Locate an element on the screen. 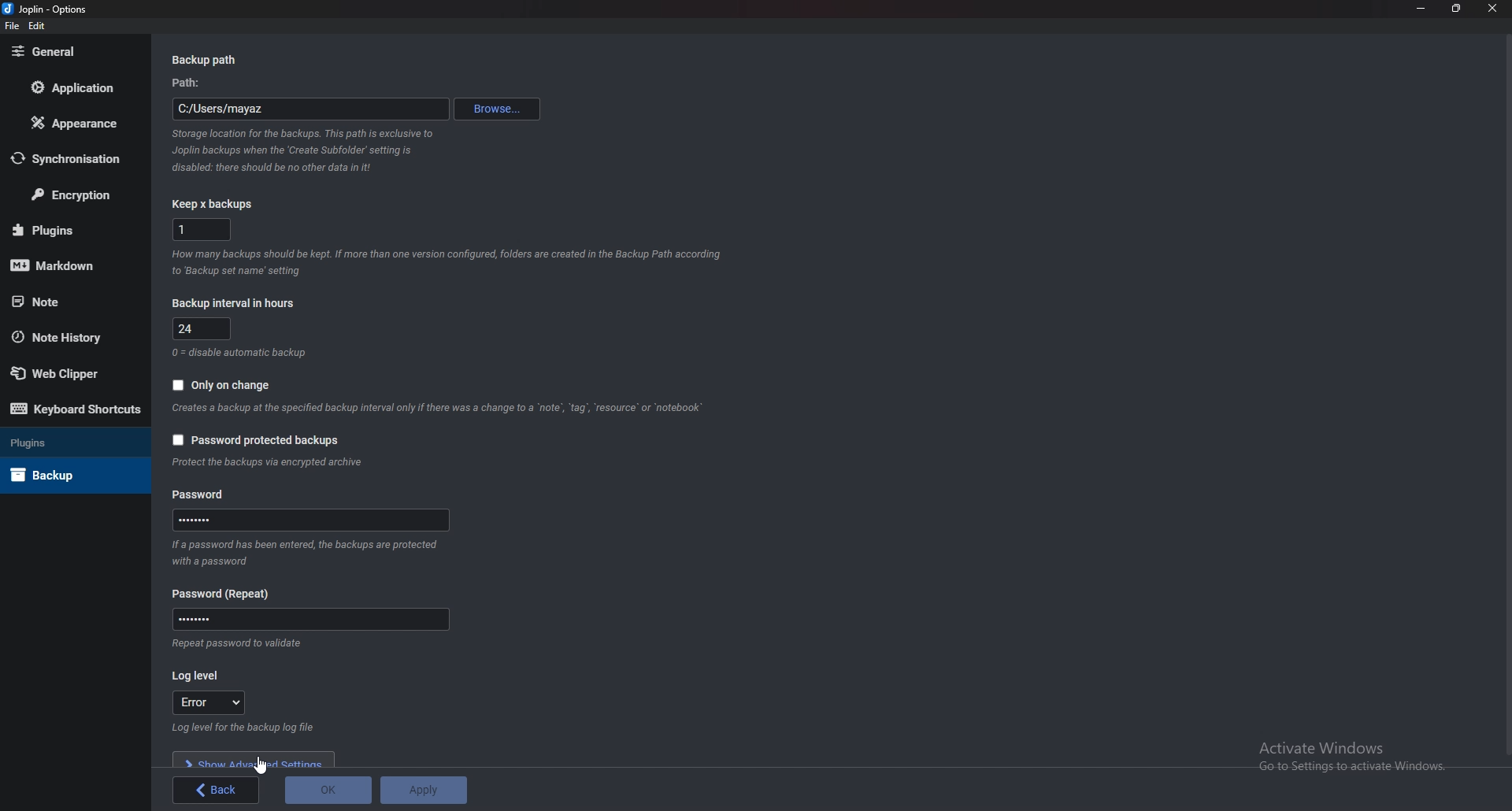 This screenshot has height=811, width=1512. file is located at coordinates (11, 27).